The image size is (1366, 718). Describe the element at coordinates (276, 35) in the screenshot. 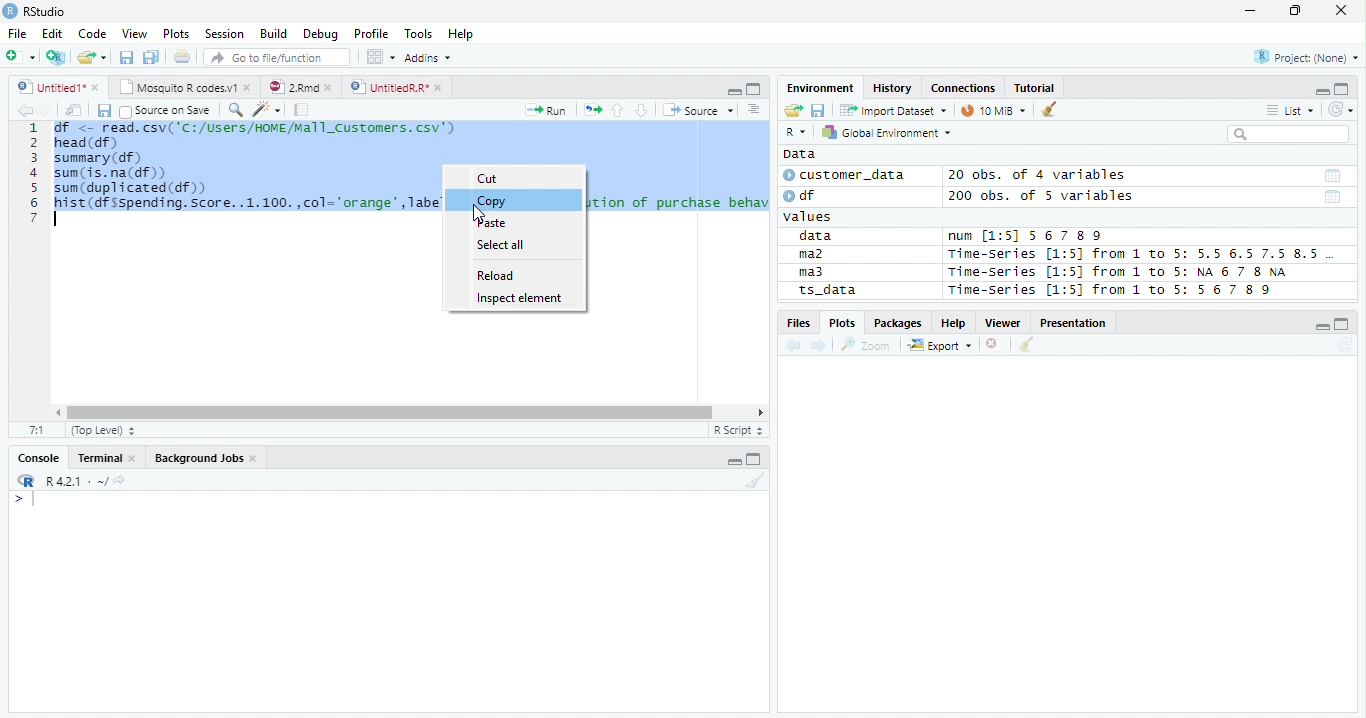

I see `Build` at that location.